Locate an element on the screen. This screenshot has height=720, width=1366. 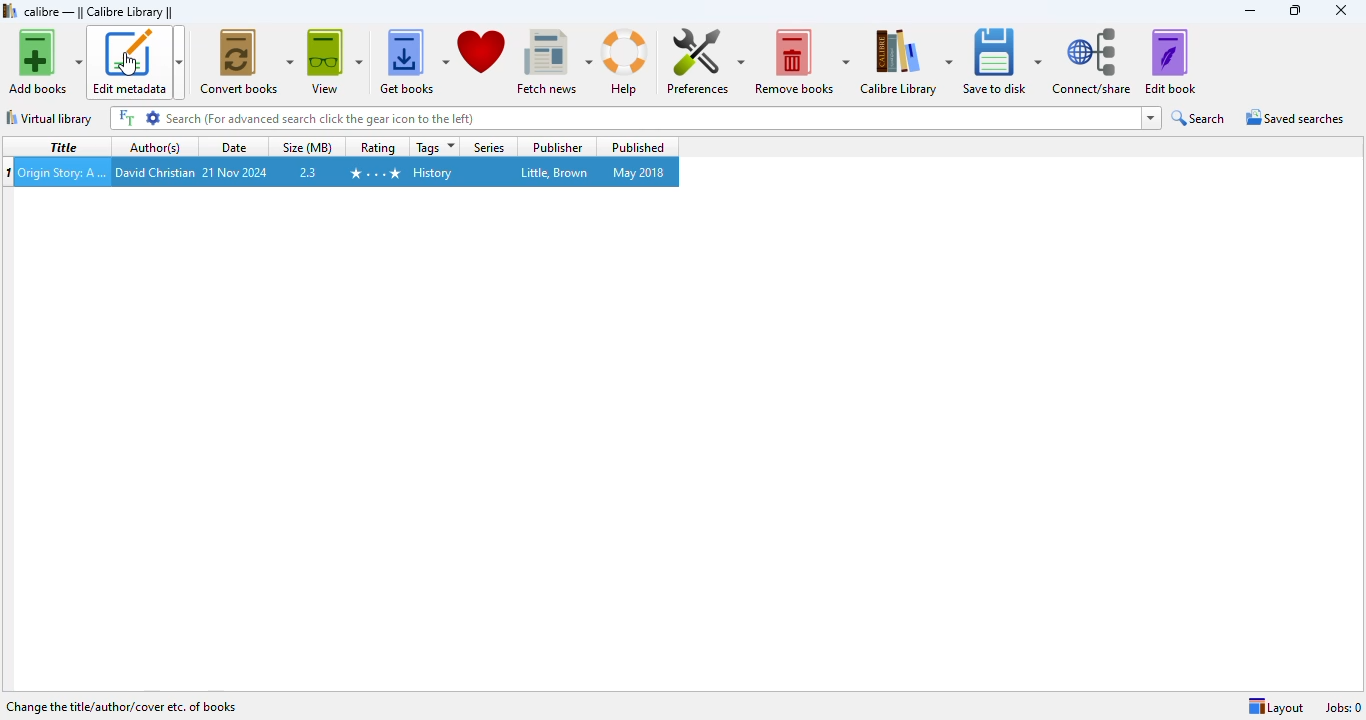
get books is located at coordinates (412, 62).